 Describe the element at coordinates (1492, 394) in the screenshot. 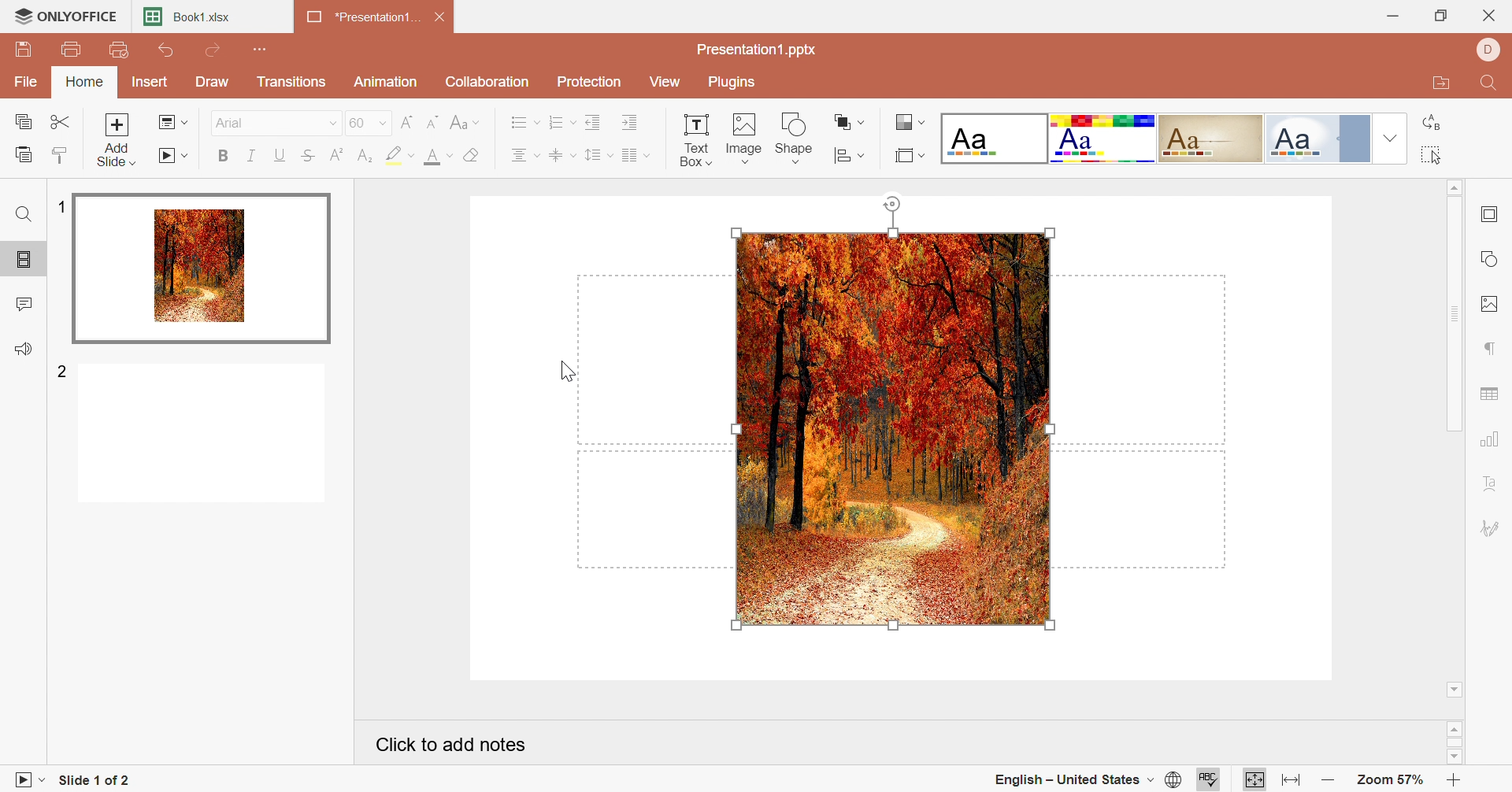

I see `table settings` at that location.